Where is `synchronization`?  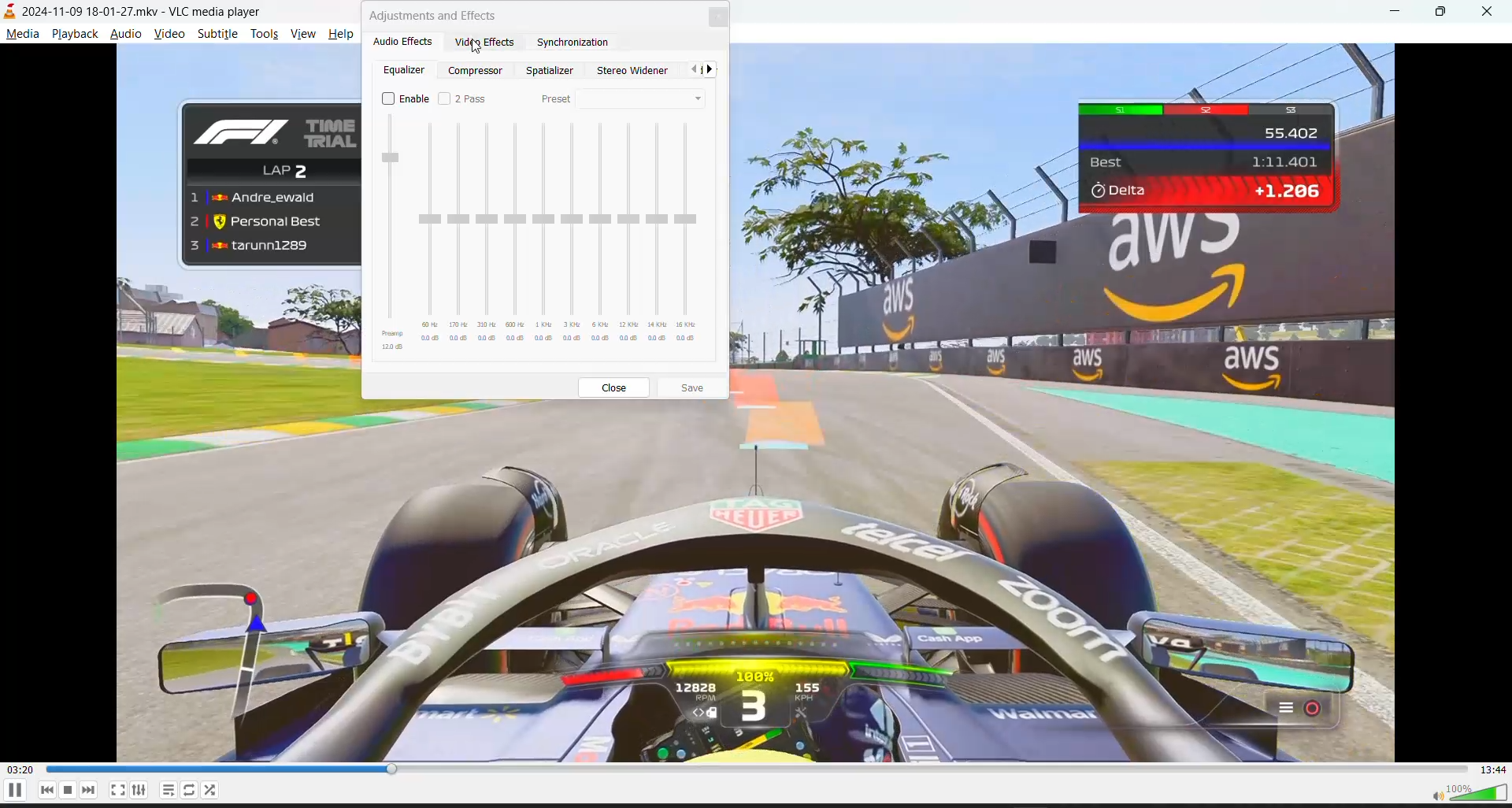 synchronization is located at coordinates (578, 46).